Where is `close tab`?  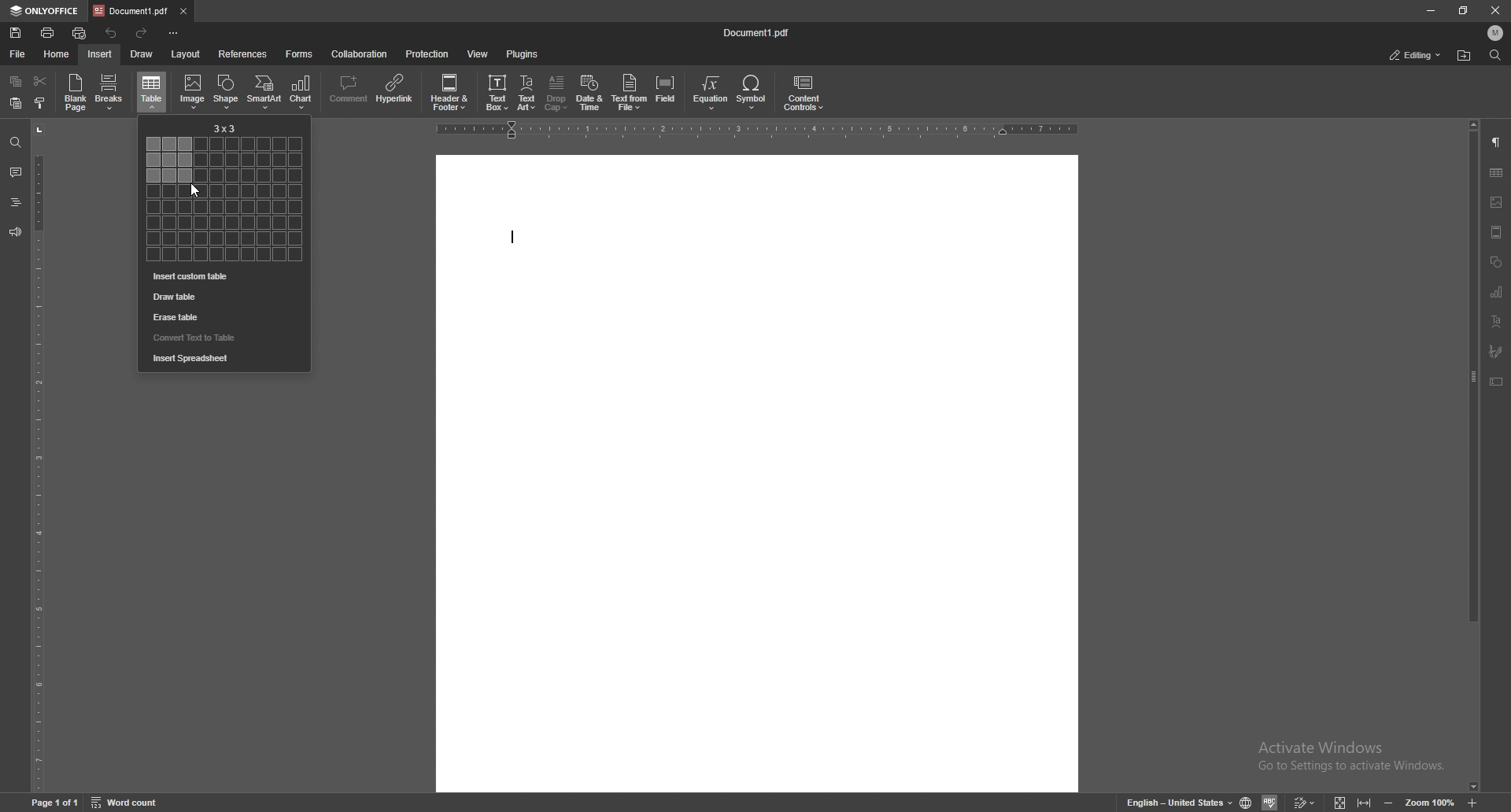 close tab is located at coordinates (184, 12).